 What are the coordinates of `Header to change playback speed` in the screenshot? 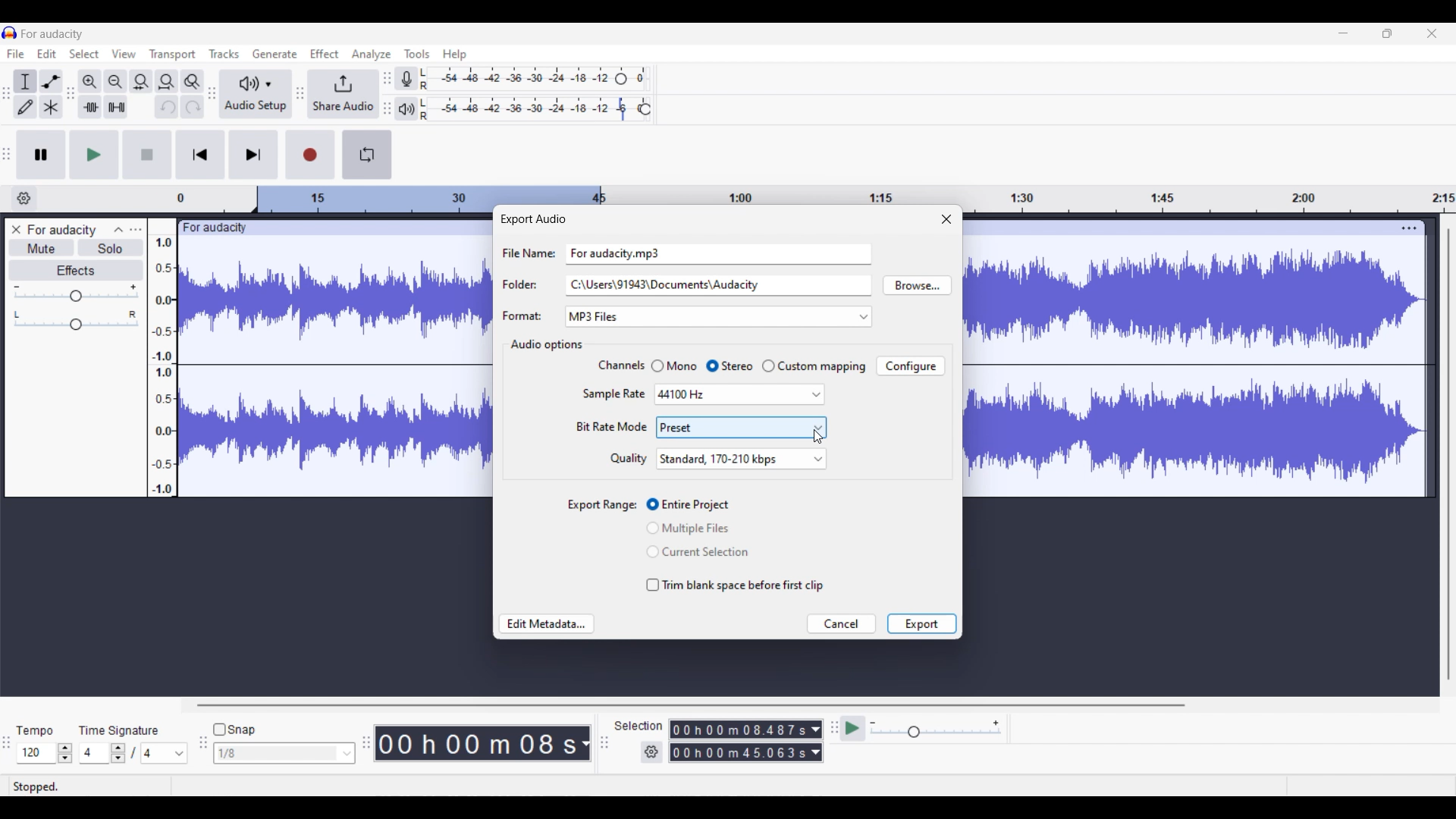 It's located at (645, 109).